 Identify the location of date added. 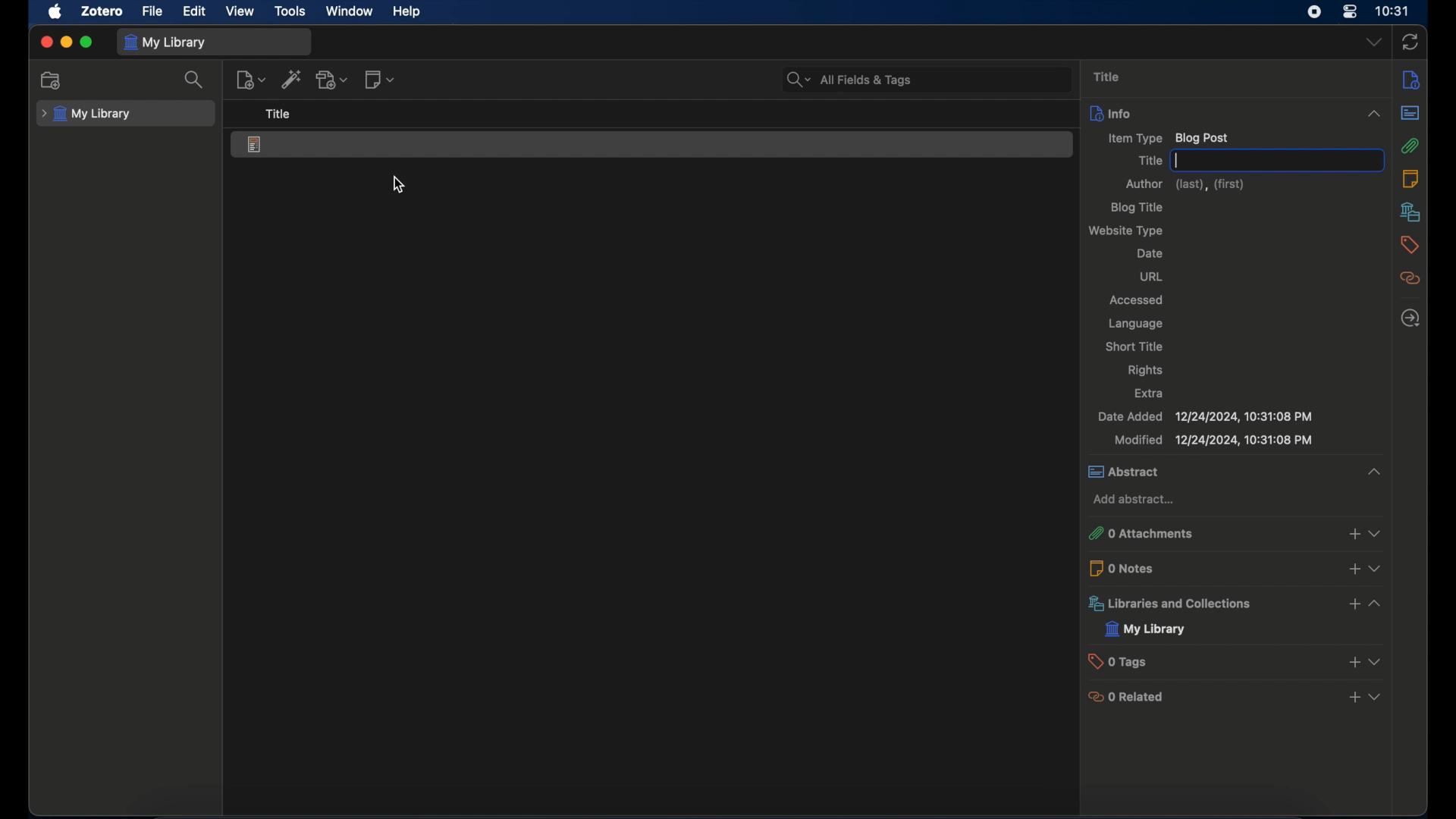
(1204, 417).